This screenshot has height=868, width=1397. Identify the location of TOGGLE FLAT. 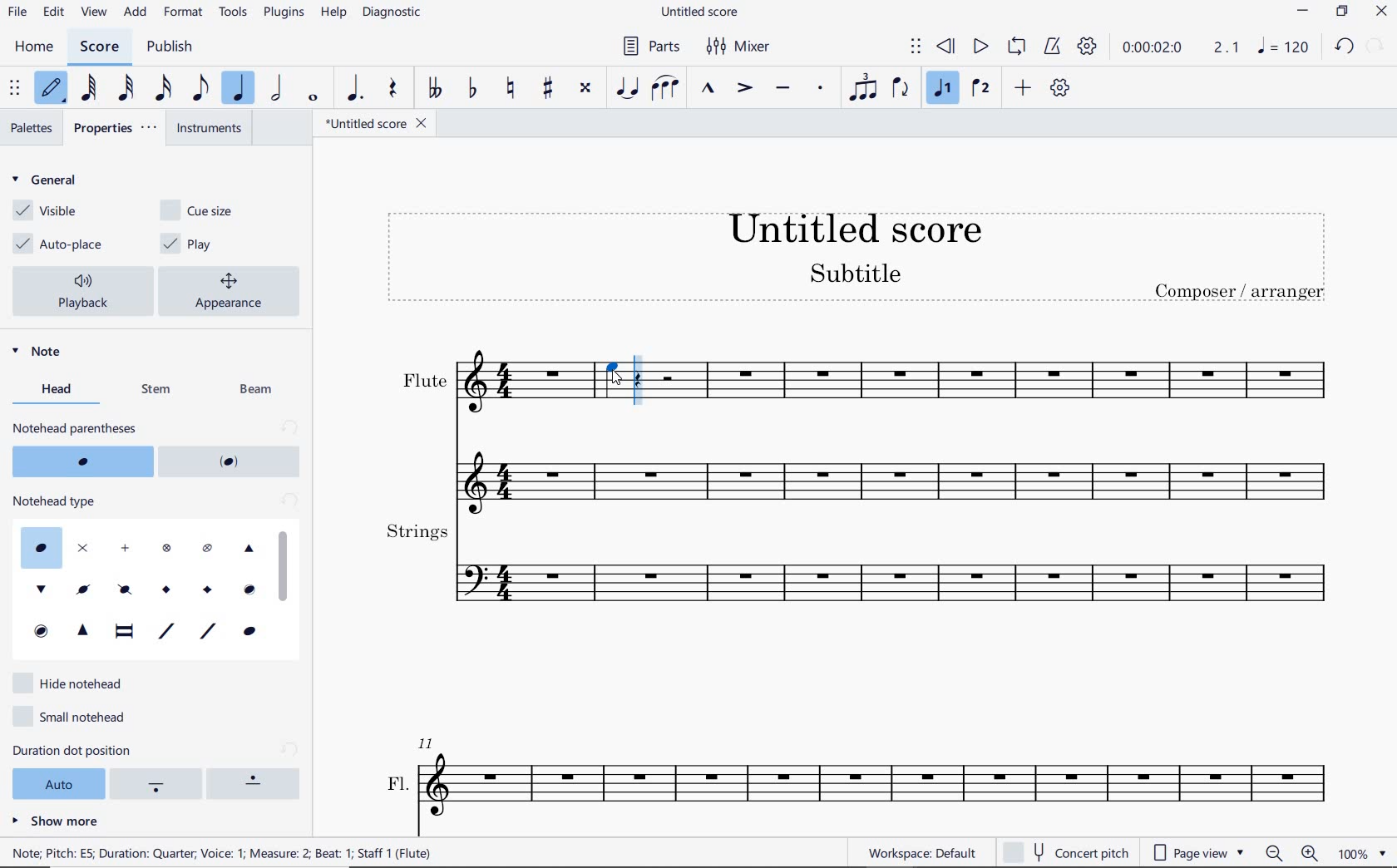
(471, 89).